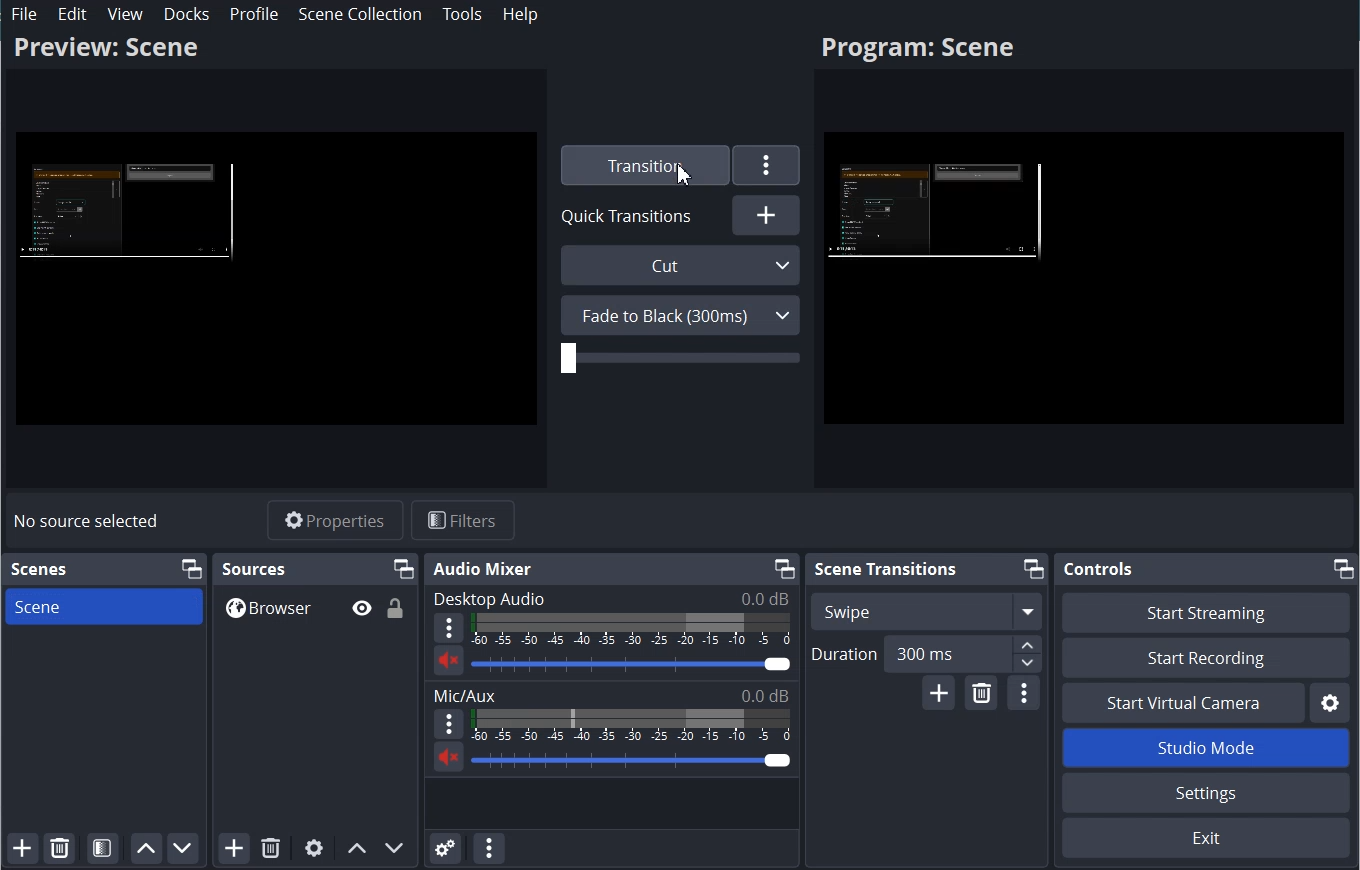  I want to click on Lock, so click(396, 607).